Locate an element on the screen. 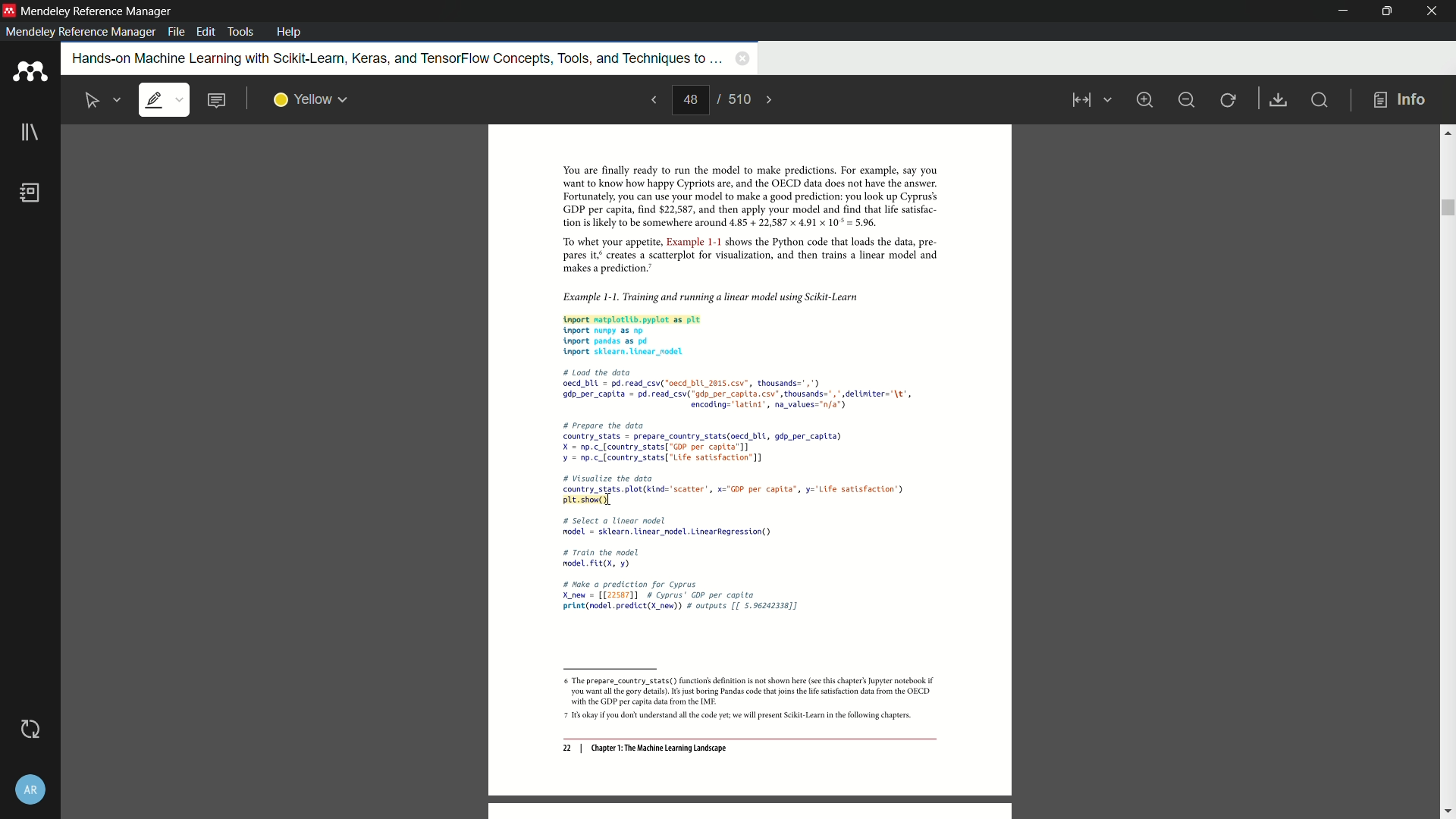  save is located at coordinates (1279, 101).